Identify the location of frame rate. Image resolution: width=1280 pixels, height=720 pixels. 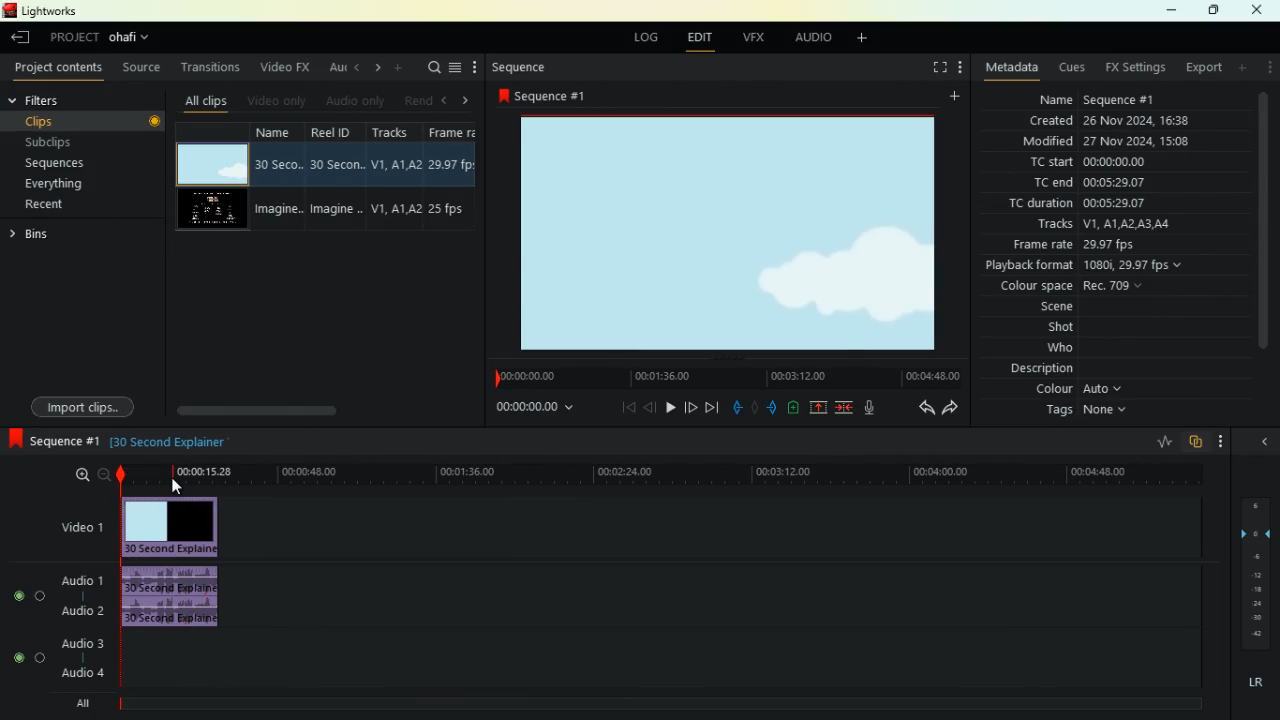
(1038, 245).